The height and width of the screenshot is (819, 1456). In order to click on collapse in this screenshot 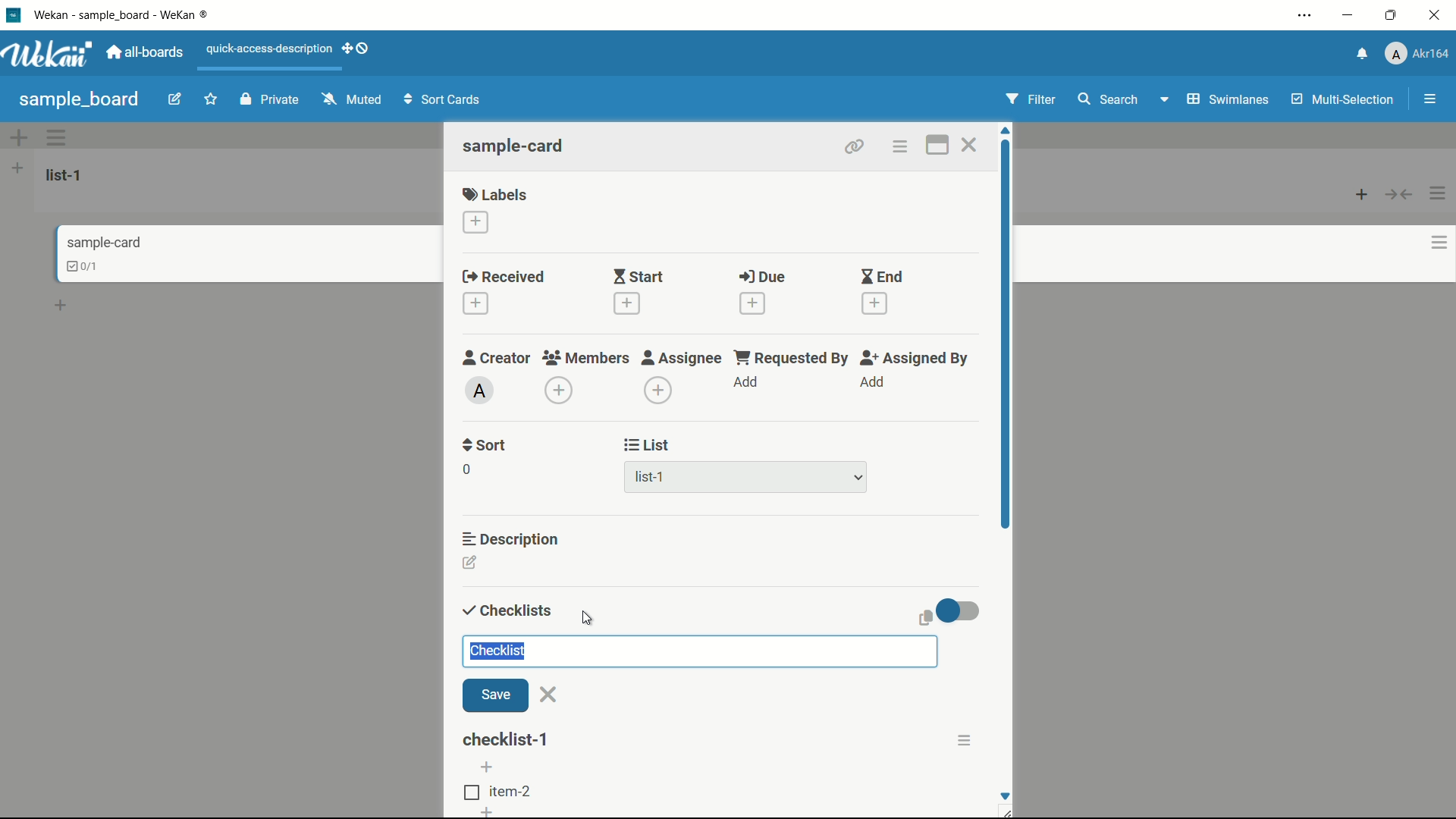, I will do `click(1400, 194)`.